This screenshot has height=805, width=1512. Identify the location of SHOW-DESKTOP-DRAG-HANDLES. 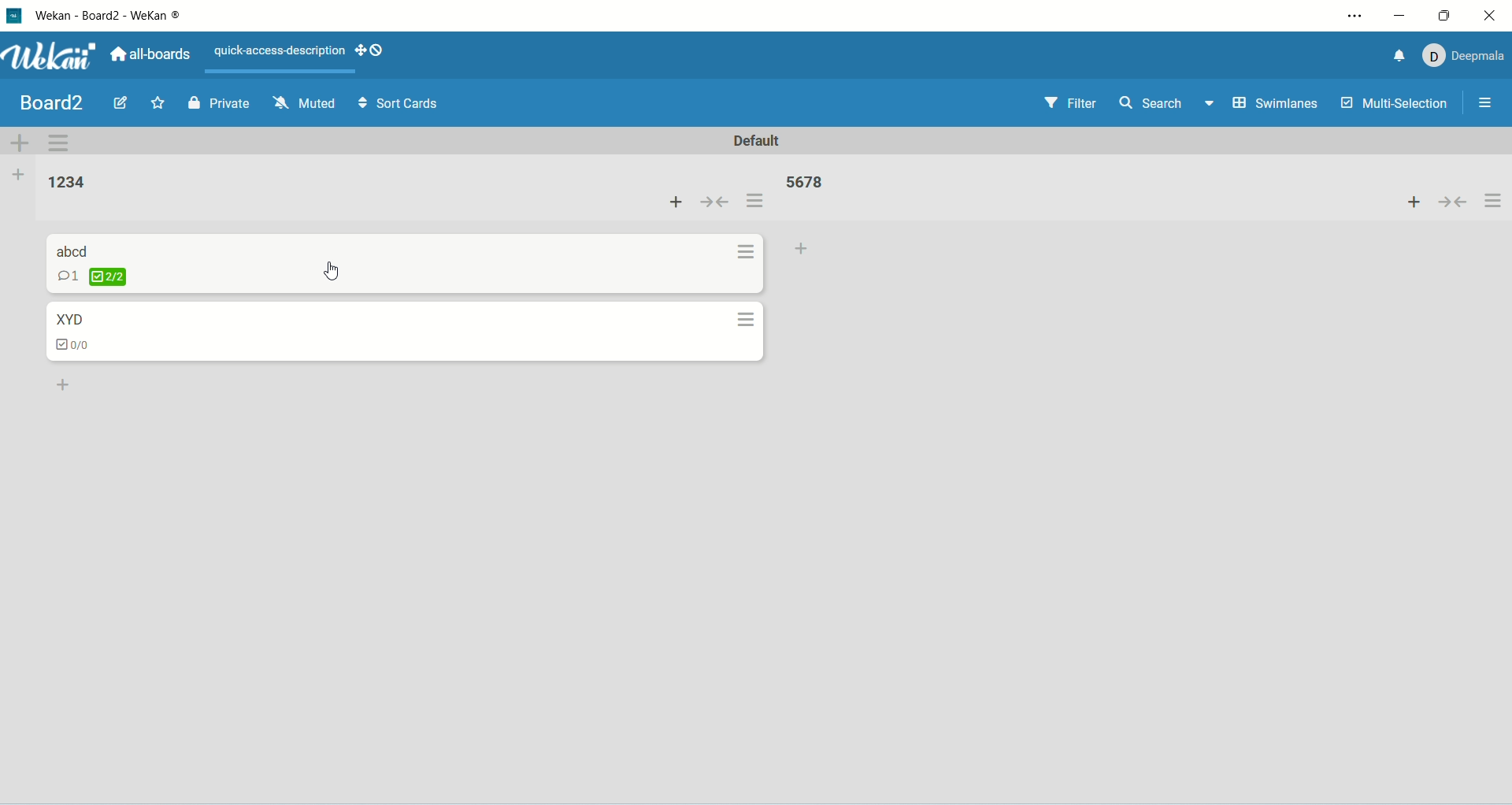
(369, 50).